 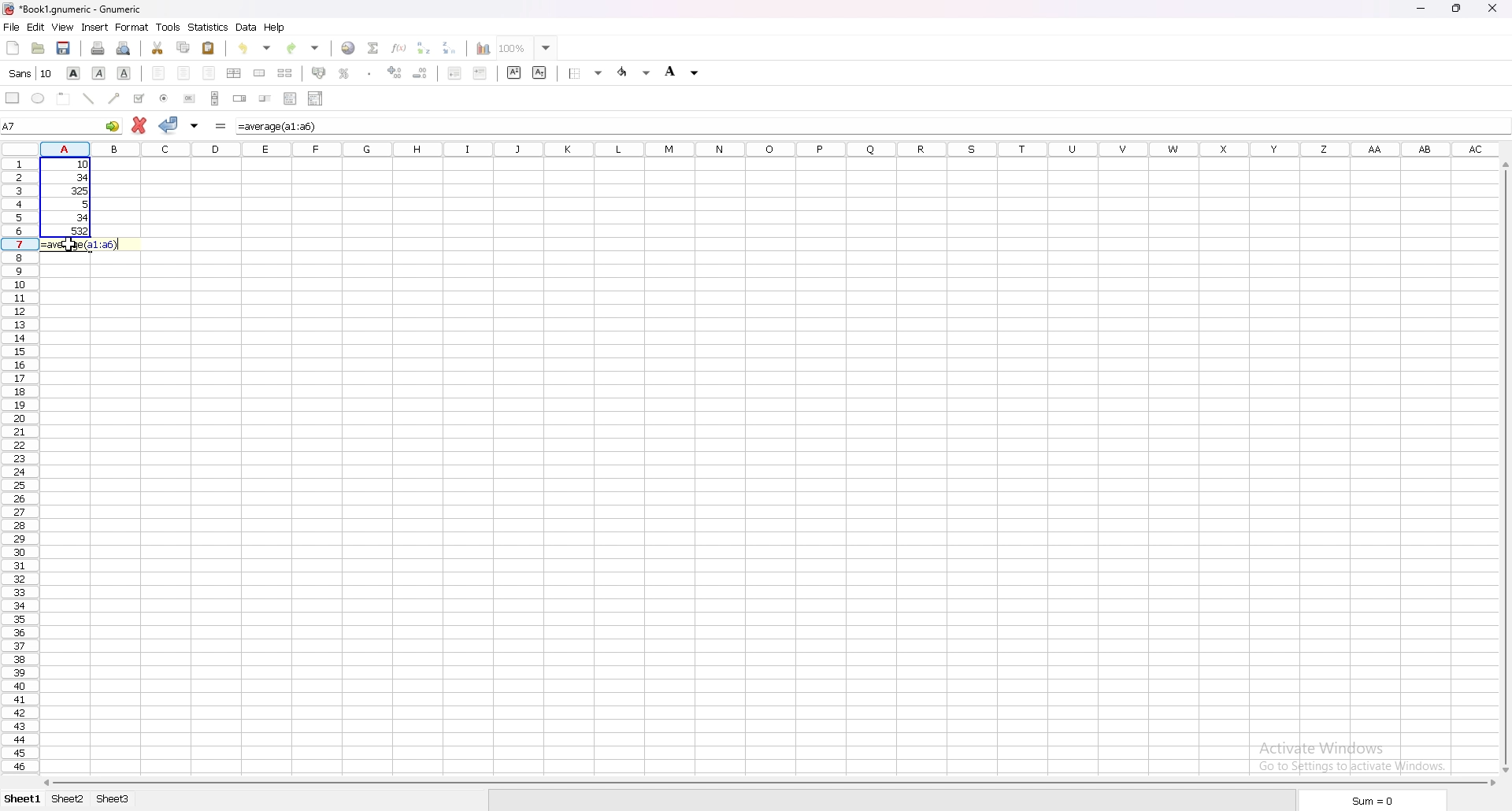 I want to click on scroll bar, so click(x=769, y=783).